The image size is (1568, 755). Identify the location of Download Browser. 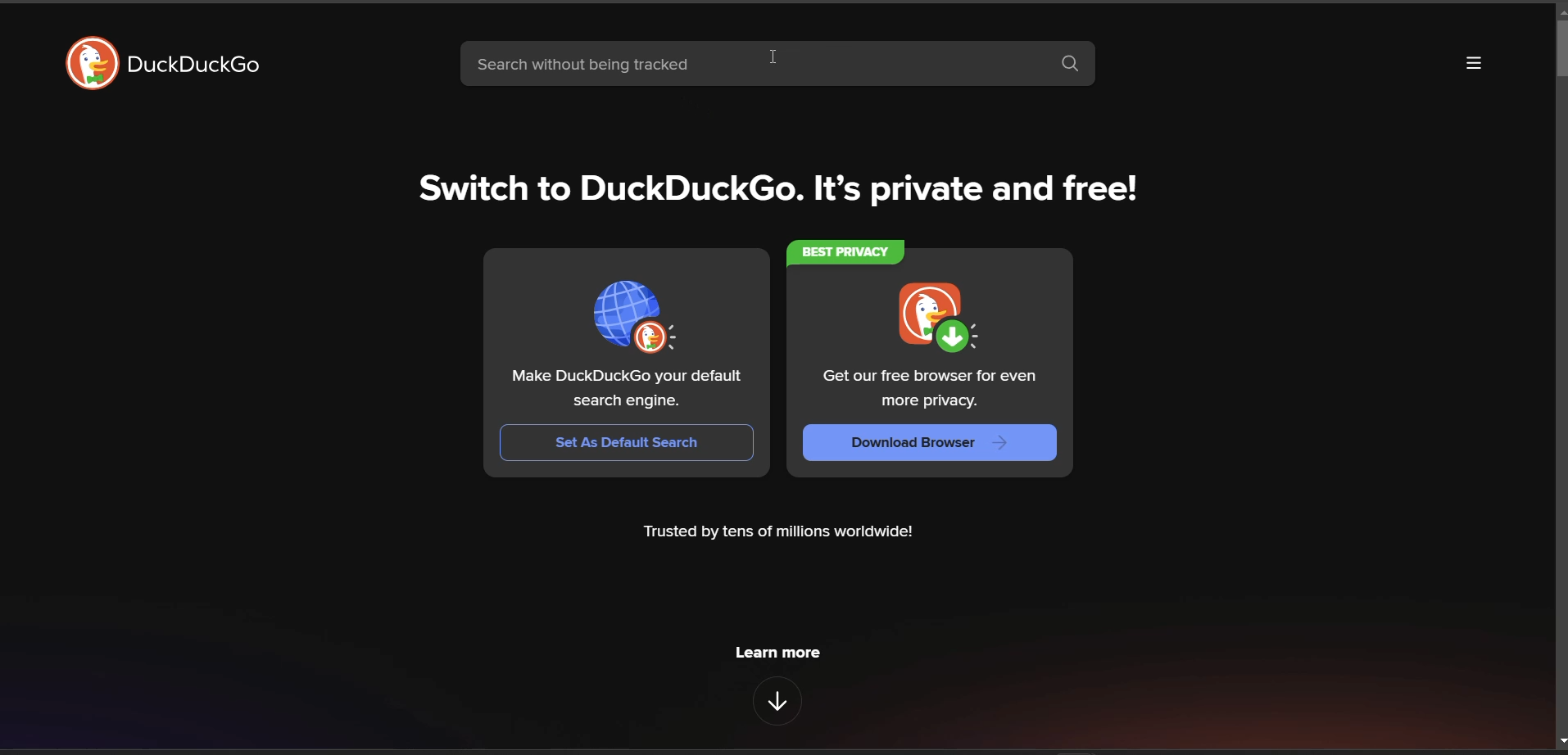
(930, 441).